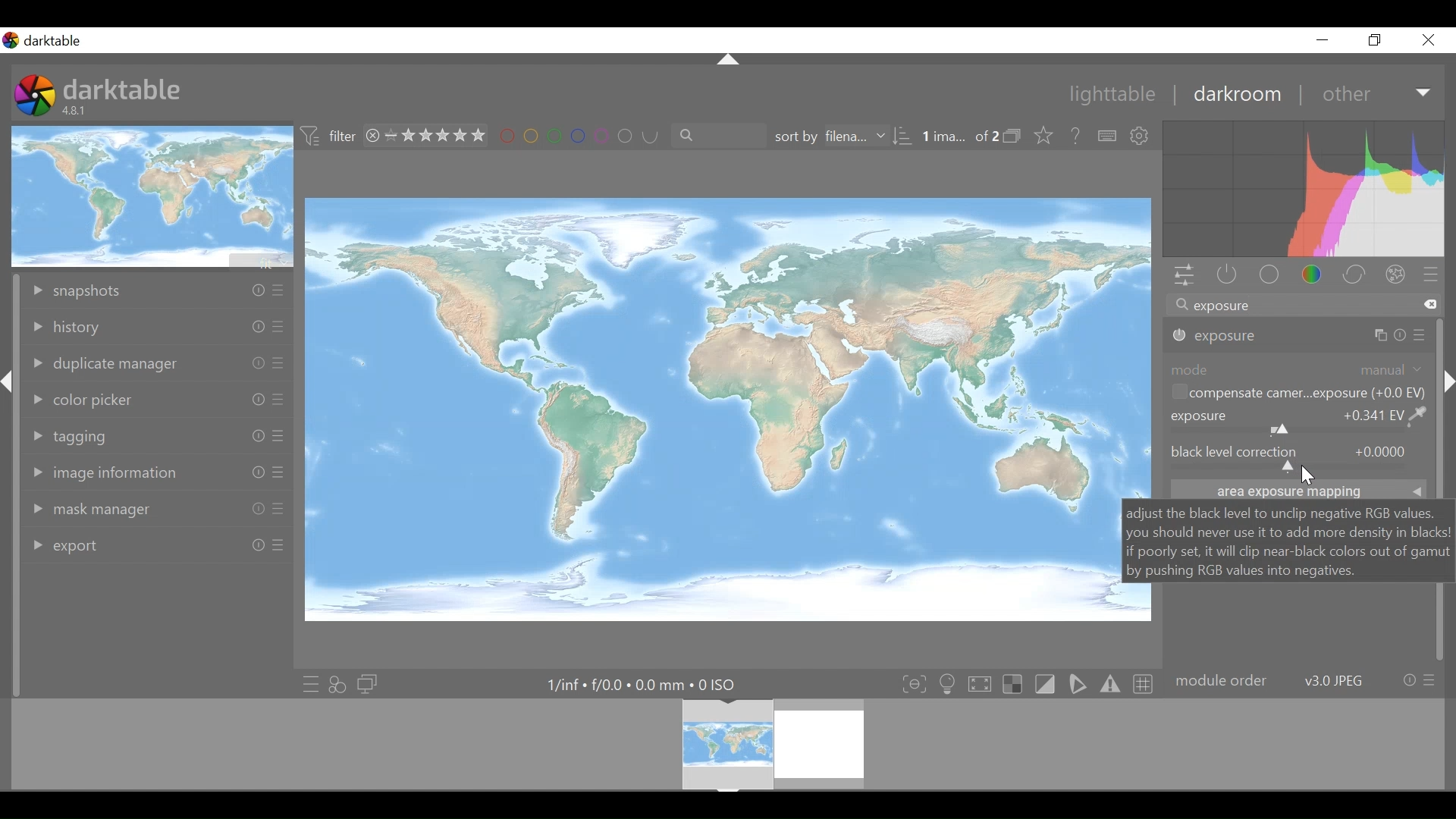 The height and width of the screenshot is (819, 1456). What do you see at coordinates (1379, 39) in the screenshot?
I see `Restore` at bounding box center [1379, 39].